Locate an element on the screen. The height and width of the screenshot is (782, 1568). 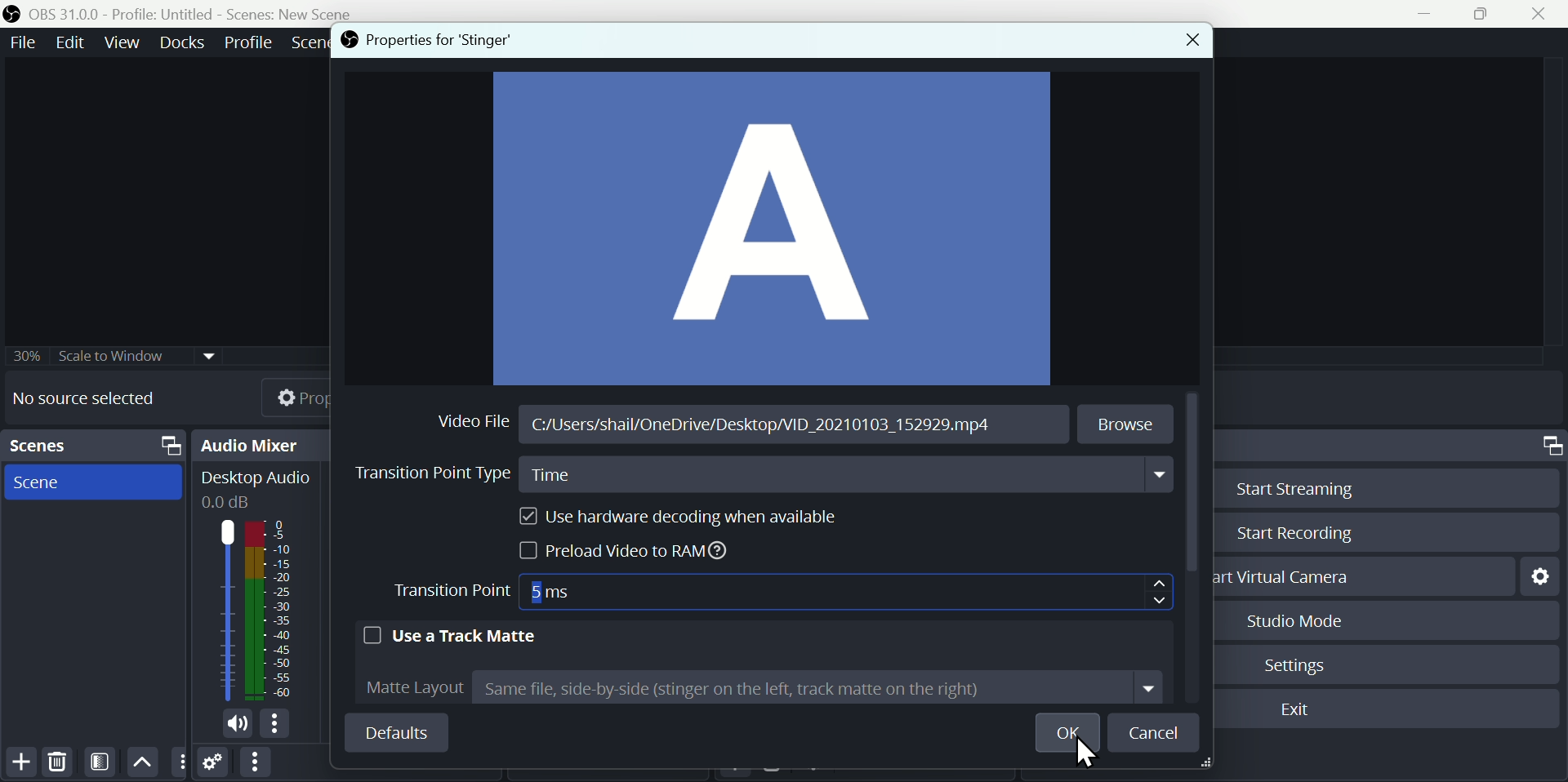
Start recording is located at coordinates (1291, 535).